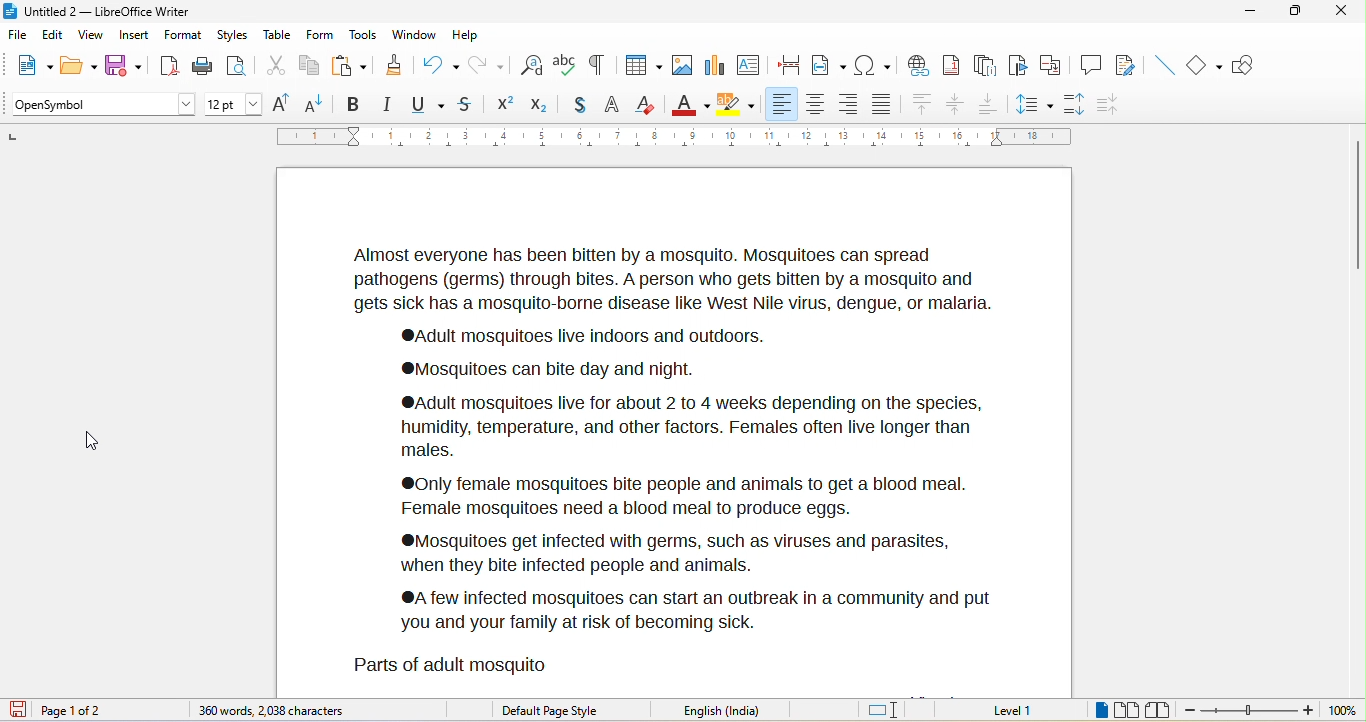  Describe the element at coordinates (1244, 65) in the screenshot. I see `show draw function` at that location.